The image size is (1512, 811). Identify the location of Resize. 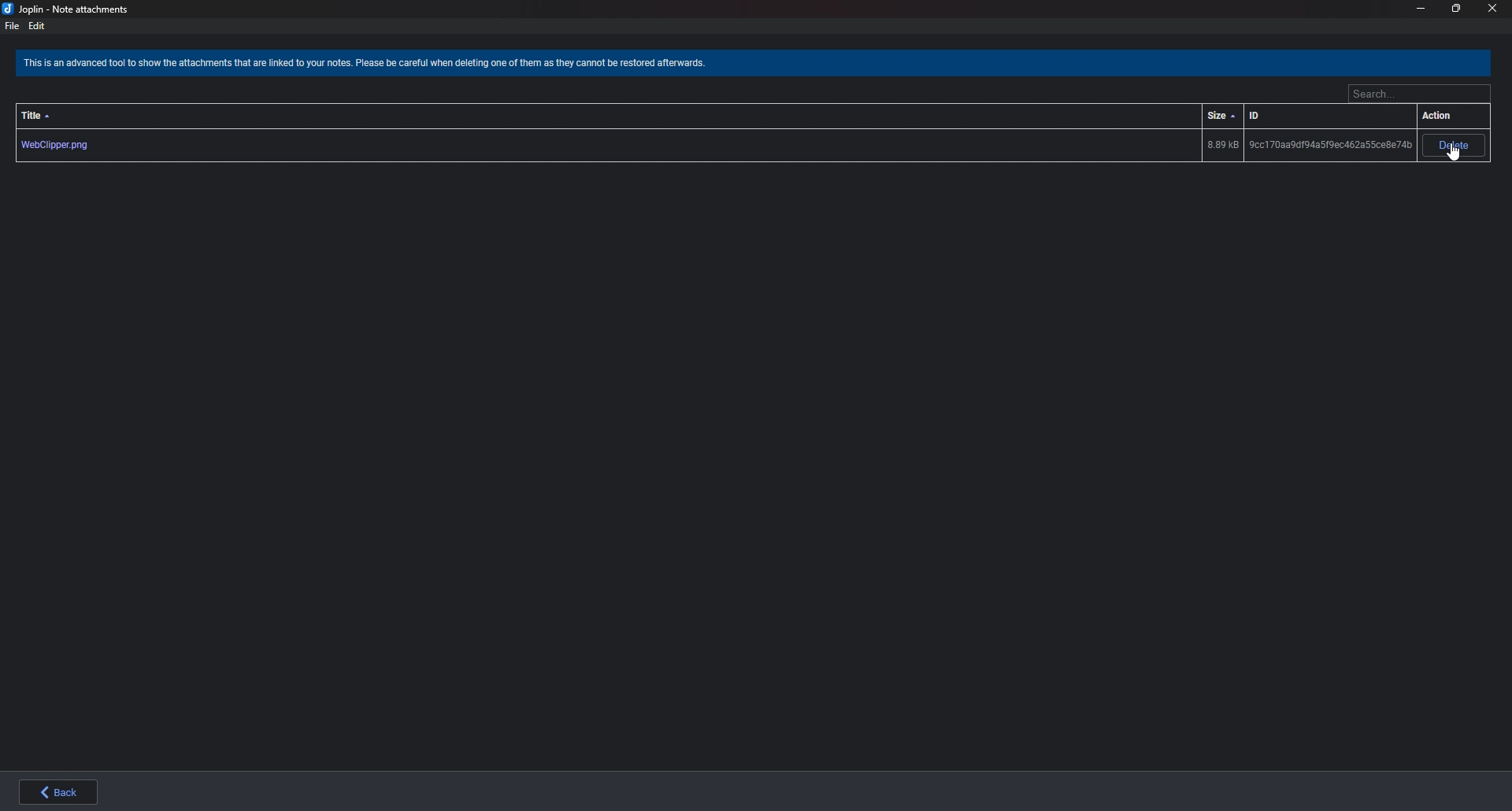
(1458, 9).